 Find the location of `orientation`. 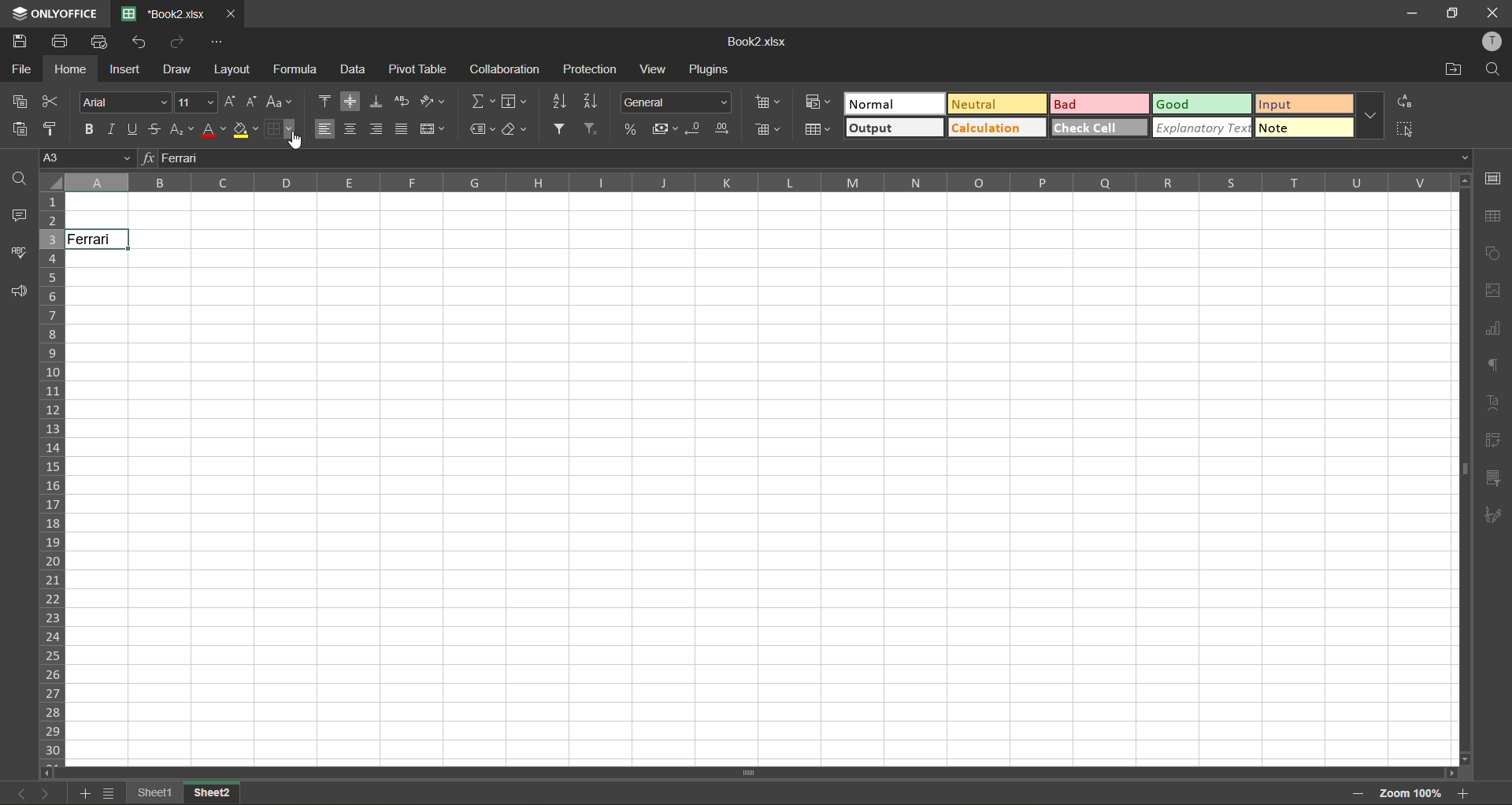

orientation is located at coordinates (435, 101).